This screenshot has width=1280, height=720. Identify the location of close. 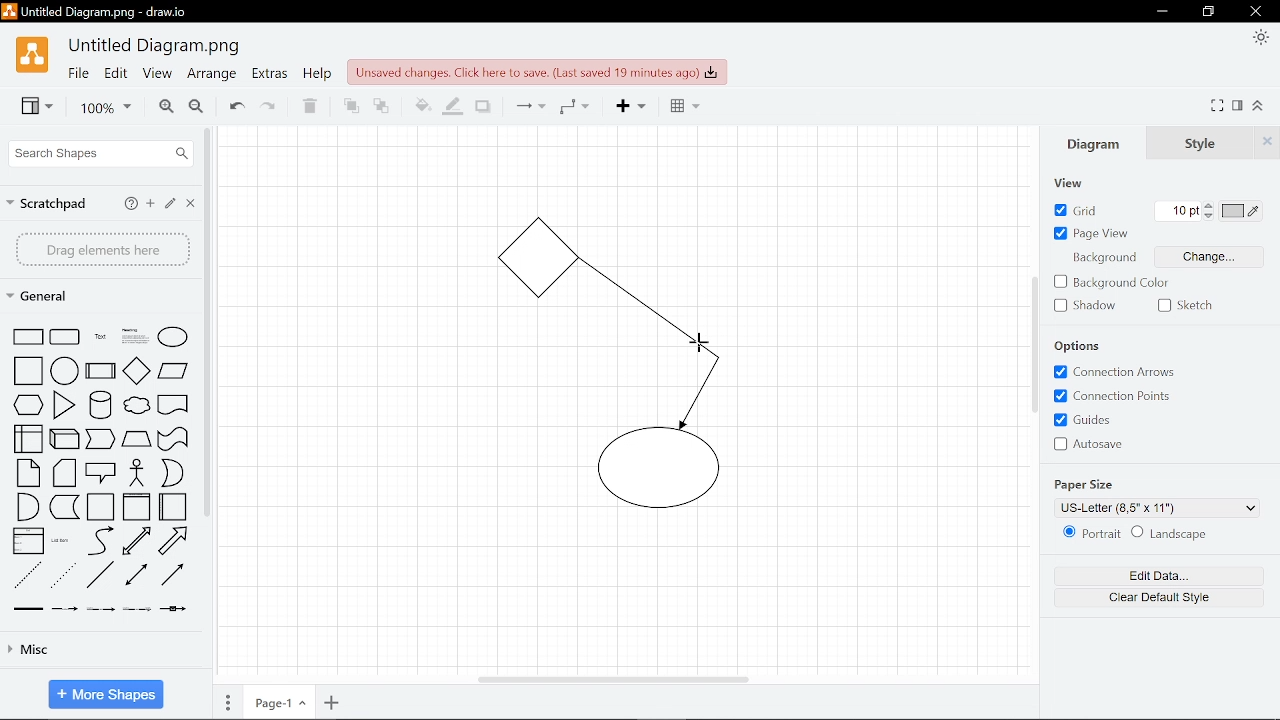
(1254, 12).